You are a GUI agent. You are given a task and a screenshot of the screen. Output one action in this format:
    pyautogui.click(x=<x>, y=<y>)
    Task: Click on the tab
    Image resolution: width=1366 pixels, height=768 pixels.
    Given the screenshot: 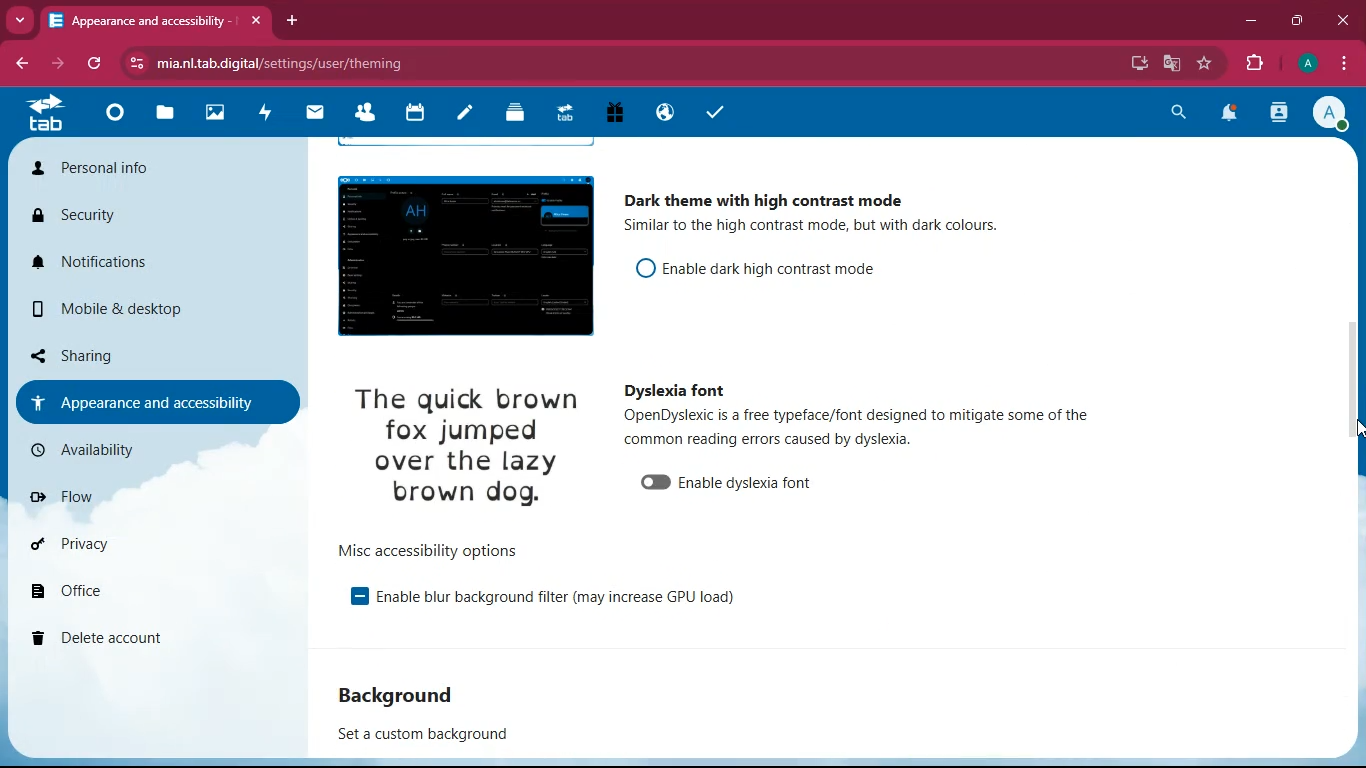 What is the action you would take?
    pyautogui.click(x=155, y=23)
    